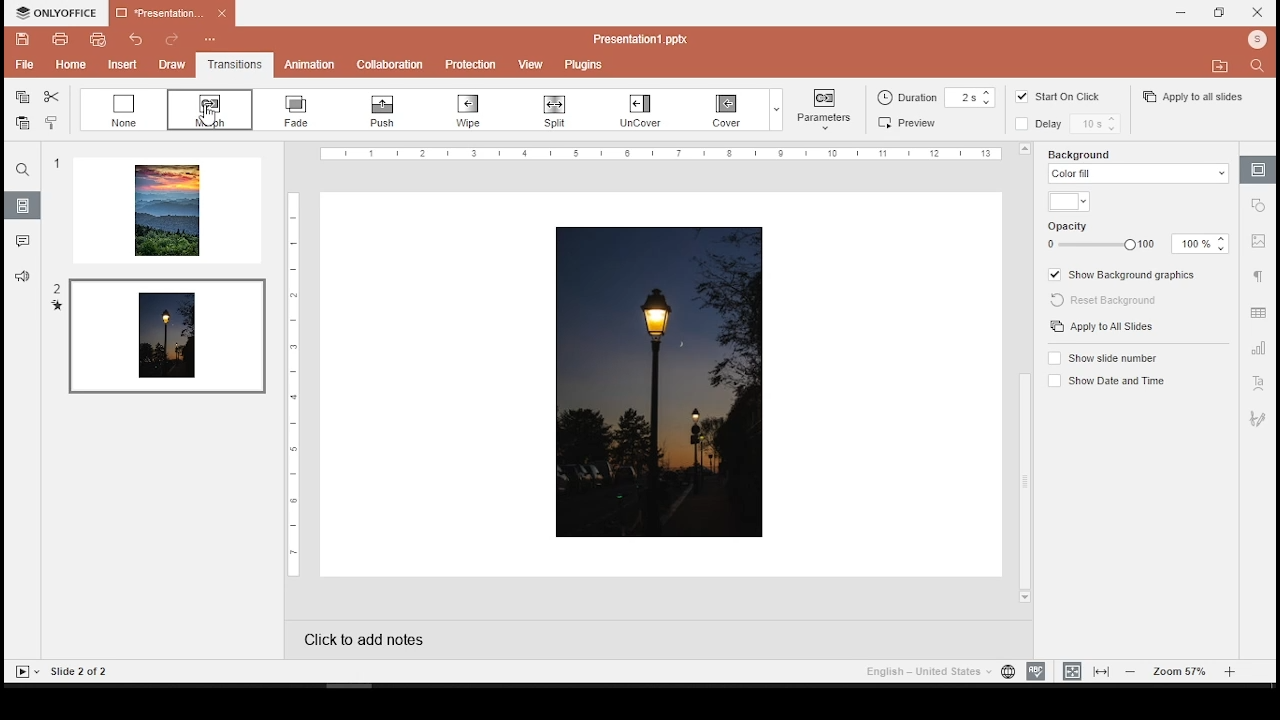 The width and height of the screenshot is (1280, 720). I want to click on save, so click(24, 39).